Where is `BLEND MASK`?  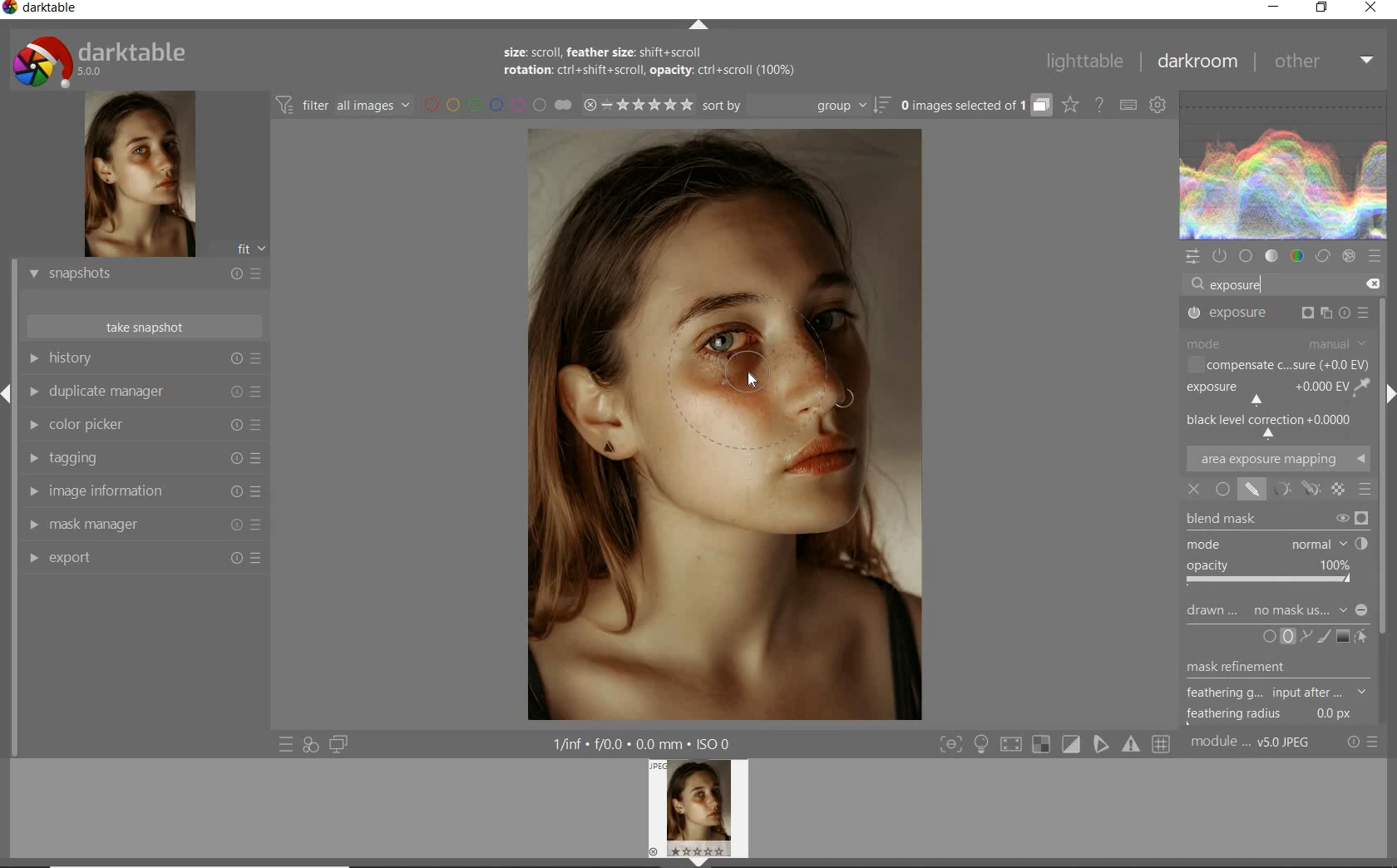
BLEND MASK is located at coordinates (1276, 519).